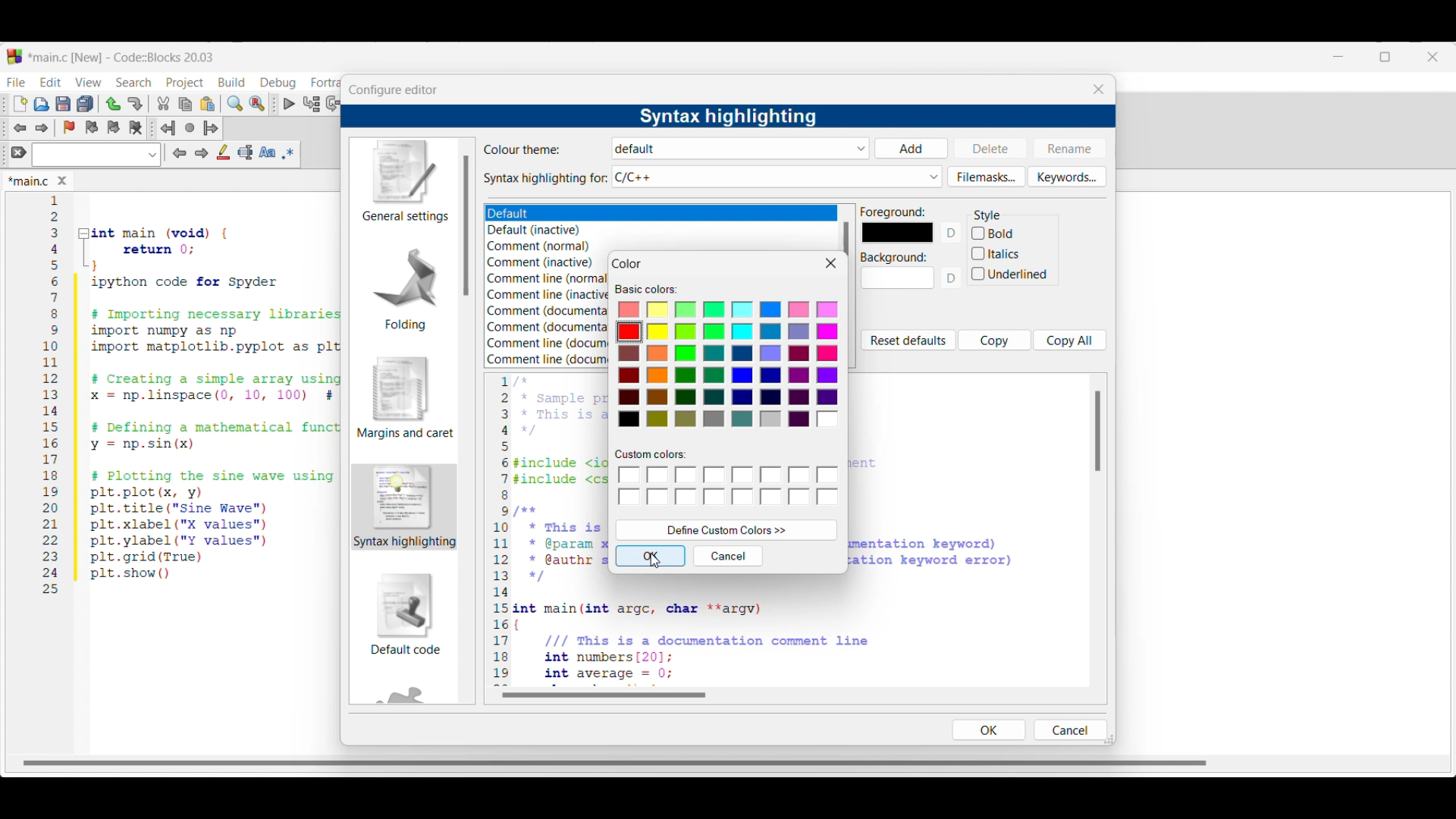 This screenshot has height=819, width=1456. Describe the element at coordinates (113, 127) in the screenshot. I see `Next bookmark` at that location.